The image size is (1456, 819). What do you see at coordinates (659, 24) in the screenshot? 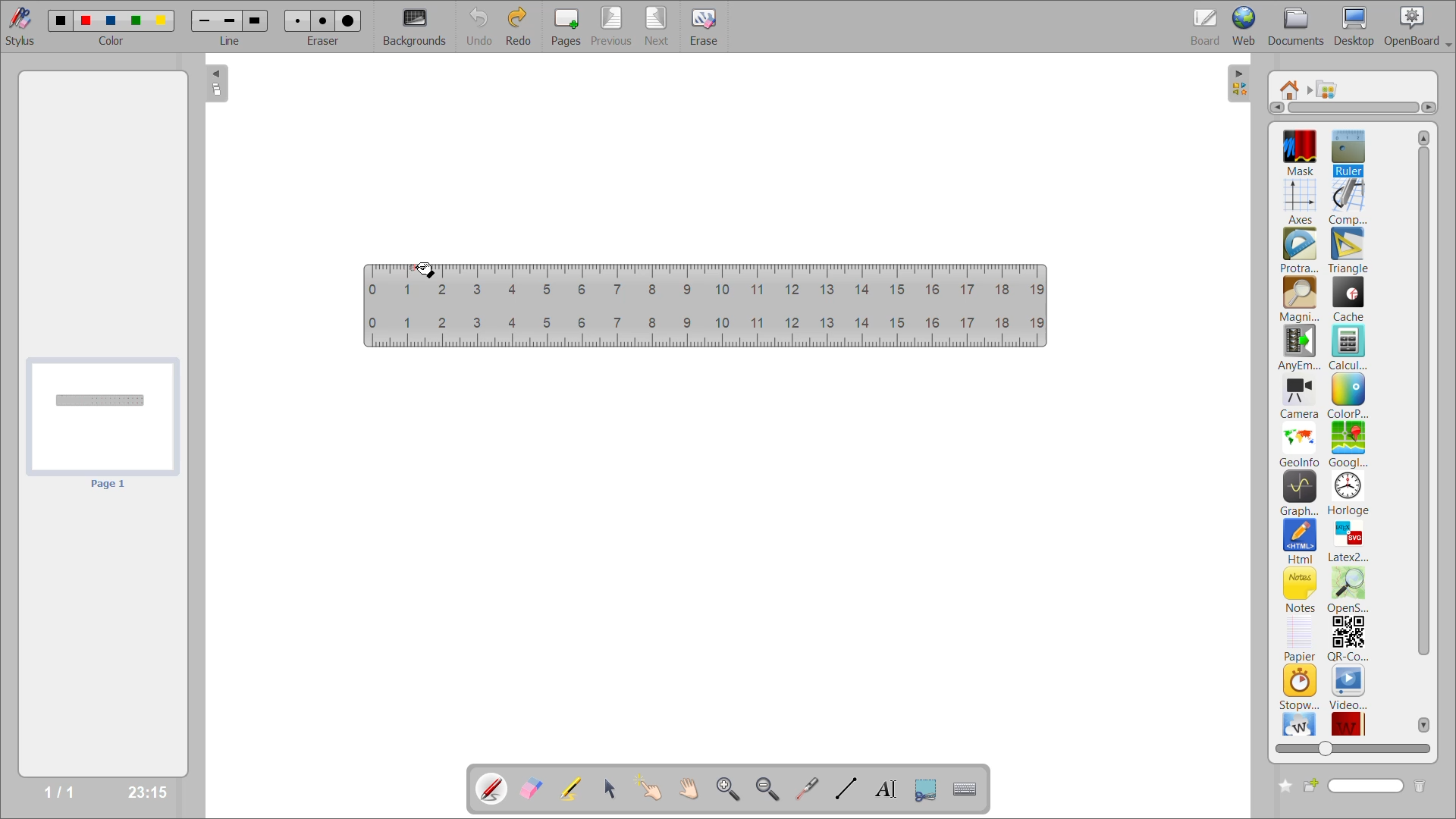
I see `next` at bounding box center [659, 24].